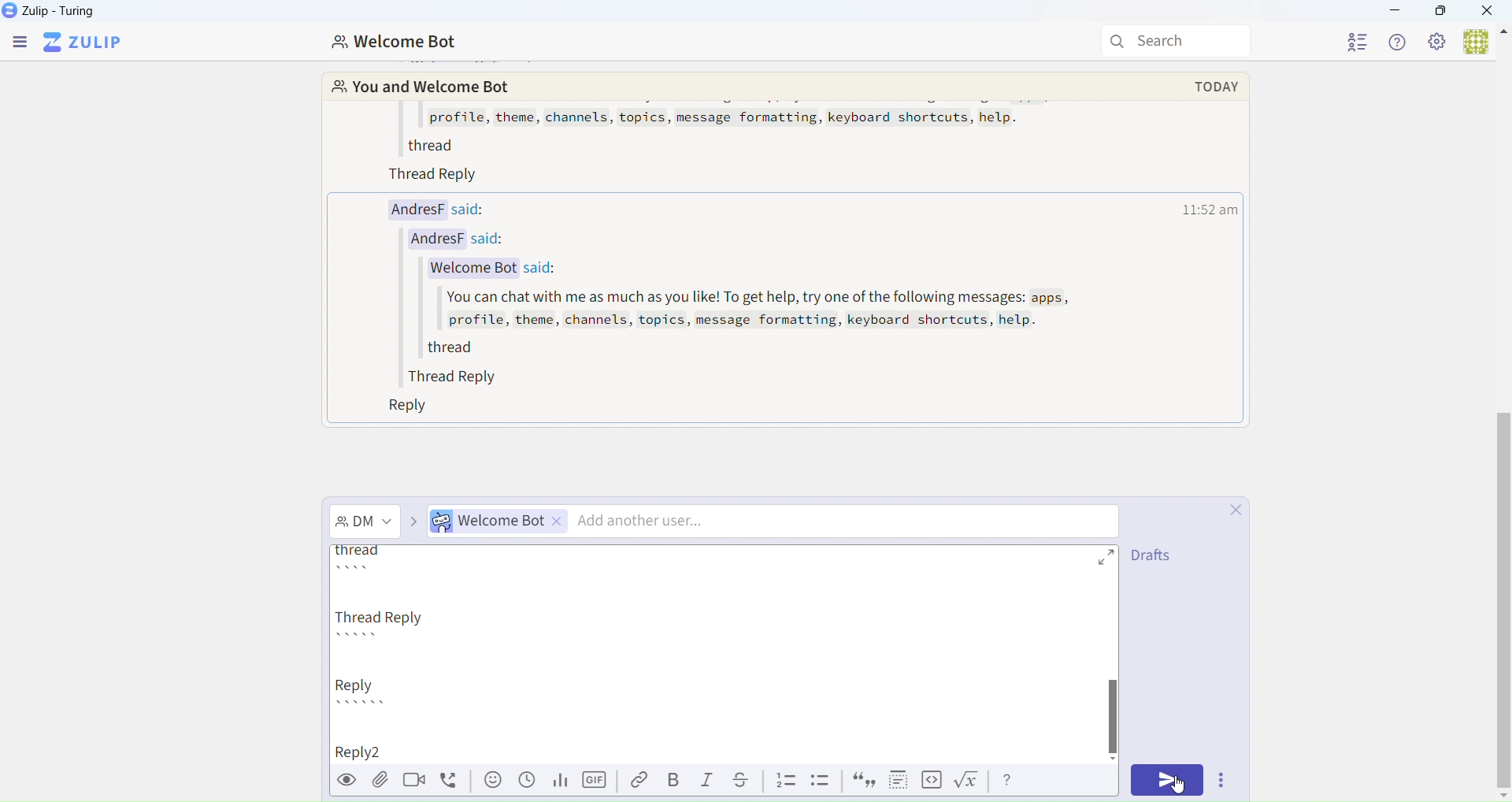  Describe the element at coordinates (489, 269) in the screenshot. I see `Welcome Bot said:` at that location.